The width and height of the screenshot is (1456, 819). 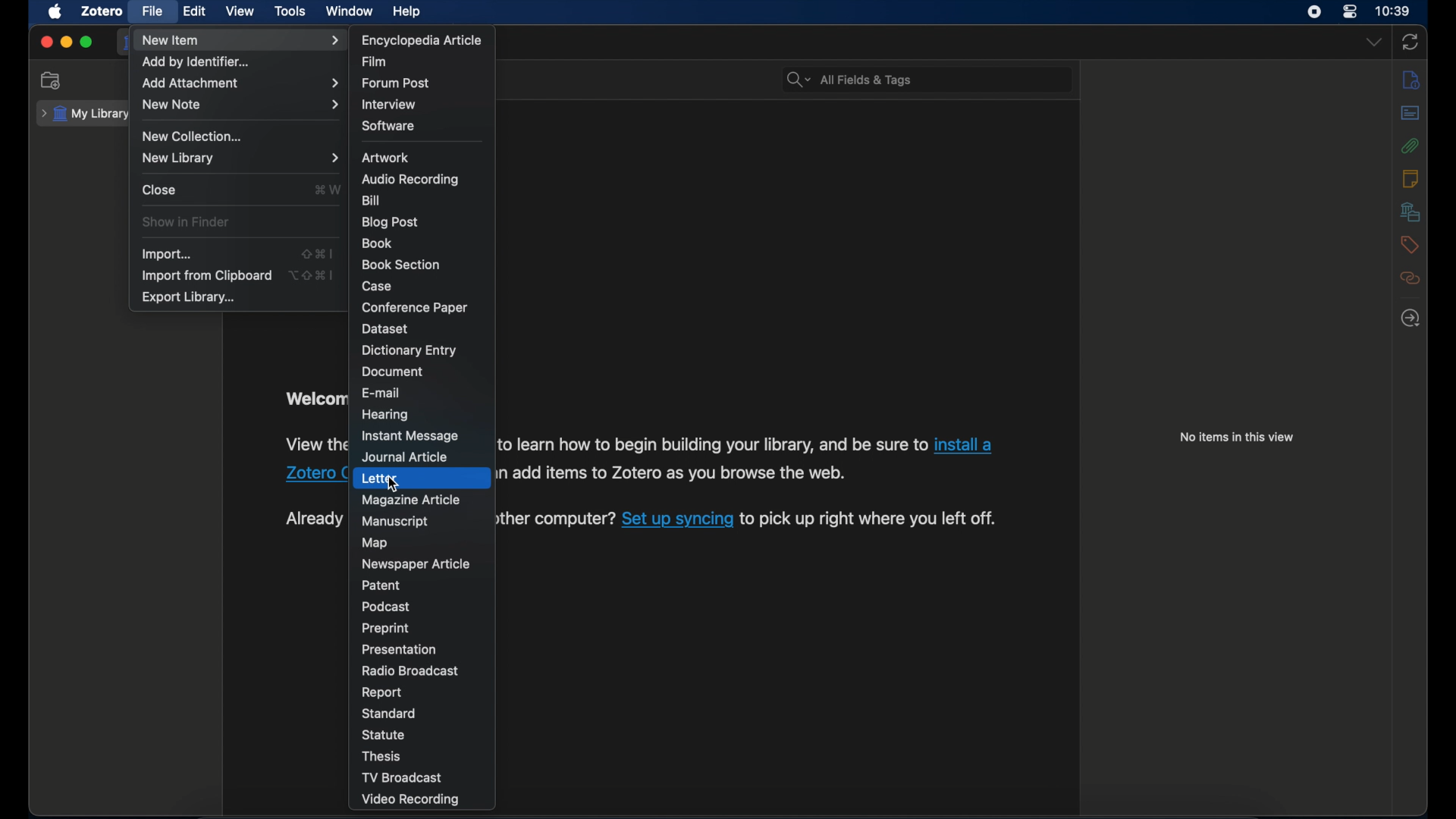 What do you see at coordinates (411, 671) in the screenshot?
I see `radio broadcast` at bounding box center [411, 671].